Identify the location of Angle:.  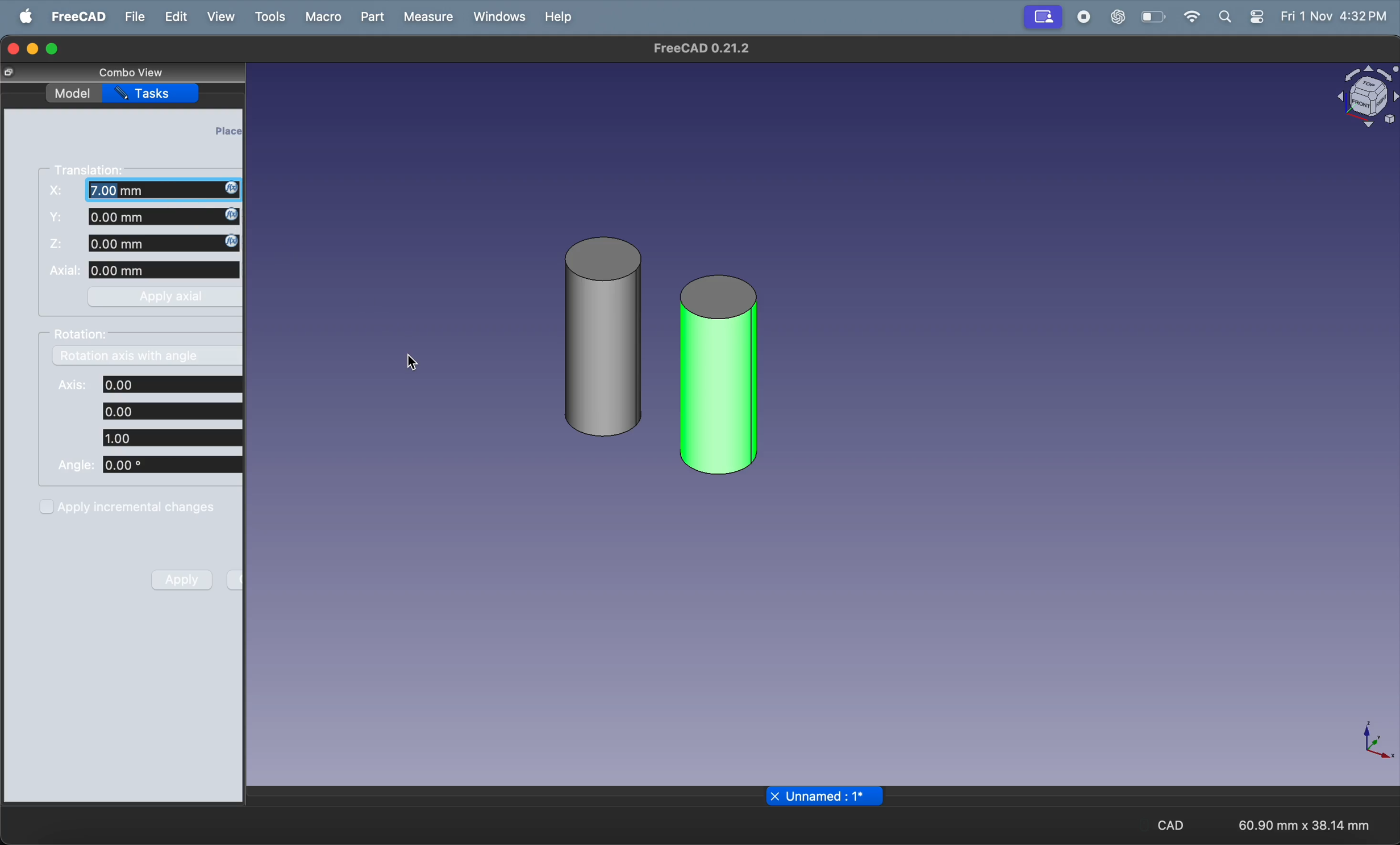
(77, 465).